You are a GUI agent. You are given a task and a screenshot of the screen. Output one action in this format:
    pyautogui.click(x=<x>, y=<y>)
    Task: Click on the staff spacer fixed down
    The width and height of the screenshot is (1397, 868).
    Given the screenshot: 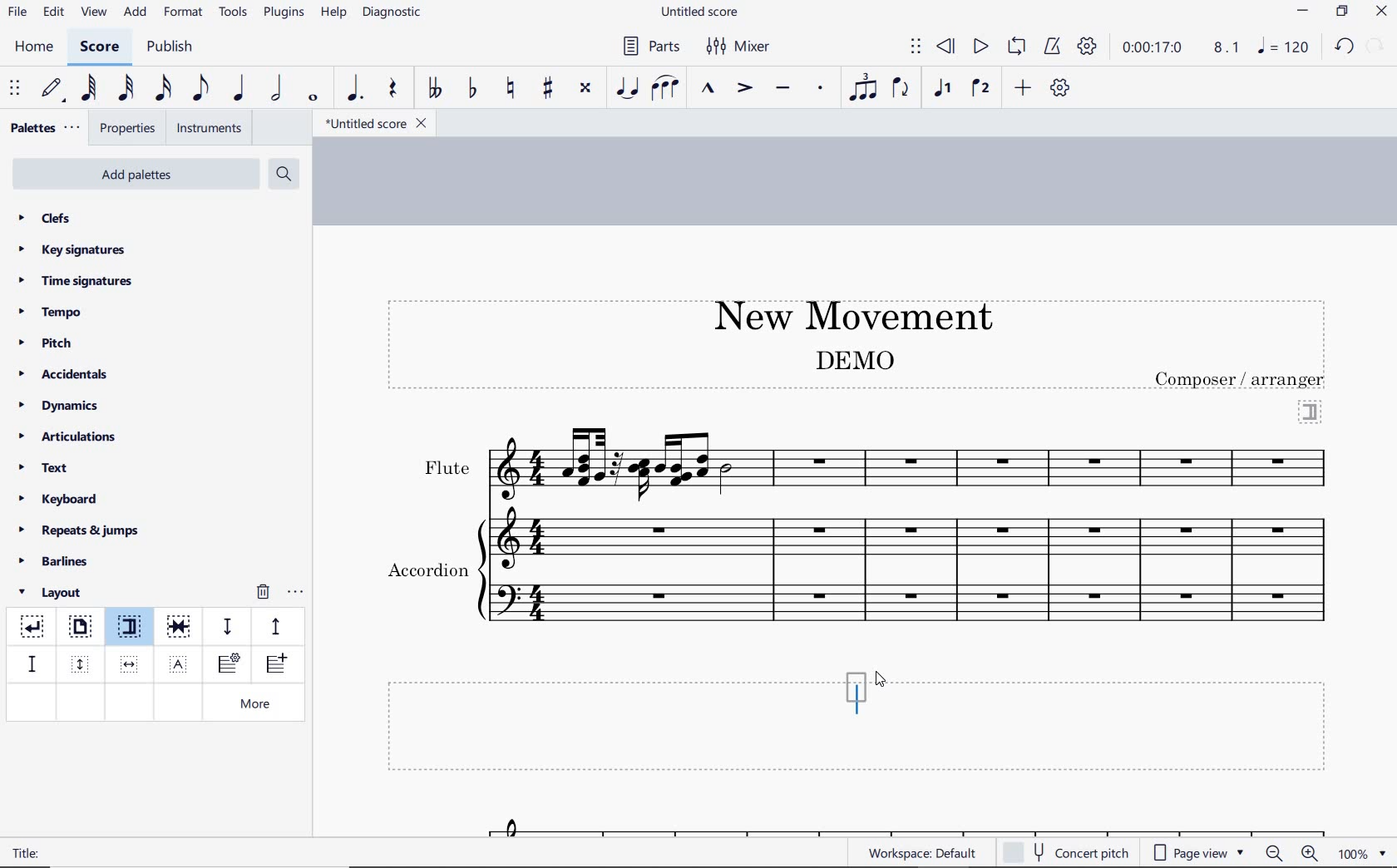 What is the action you would take?
    pyautogui.click(x=30, y=663)
    